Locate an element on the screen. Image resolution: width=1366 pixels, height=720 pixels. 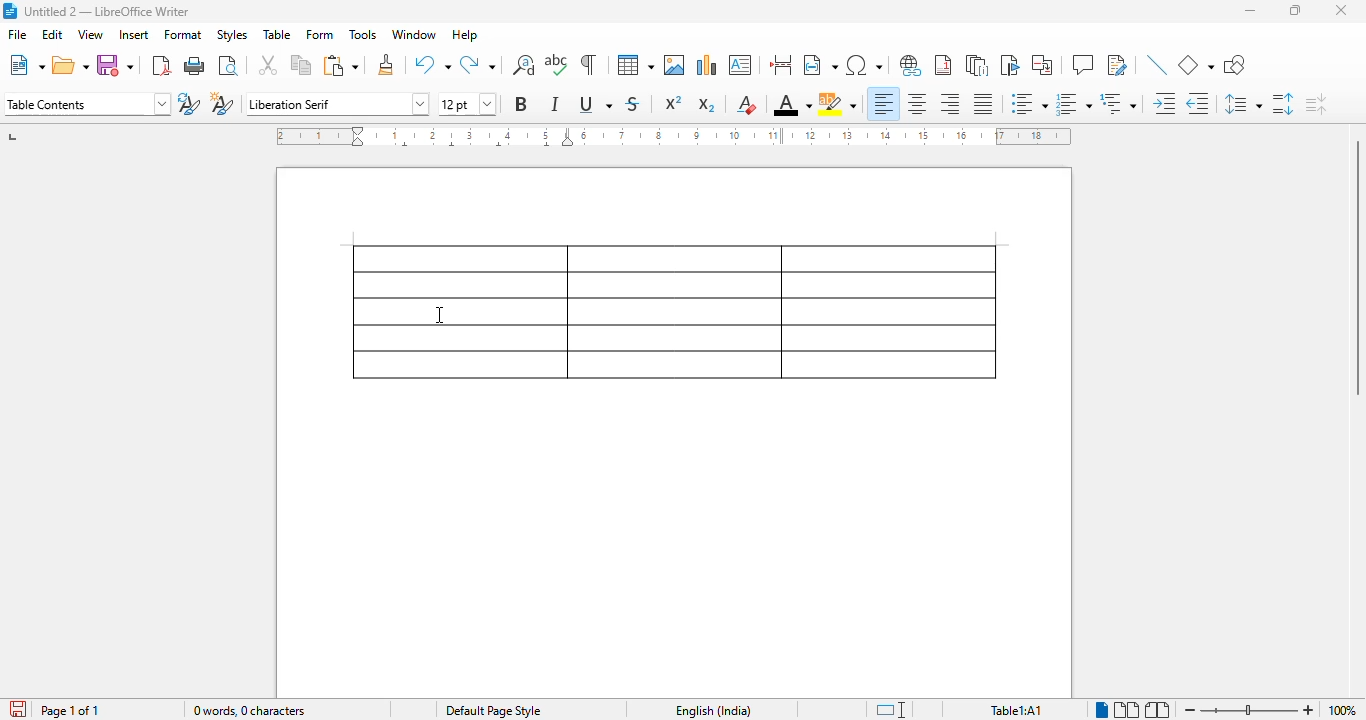
underline is located at coordinates (595, 104).